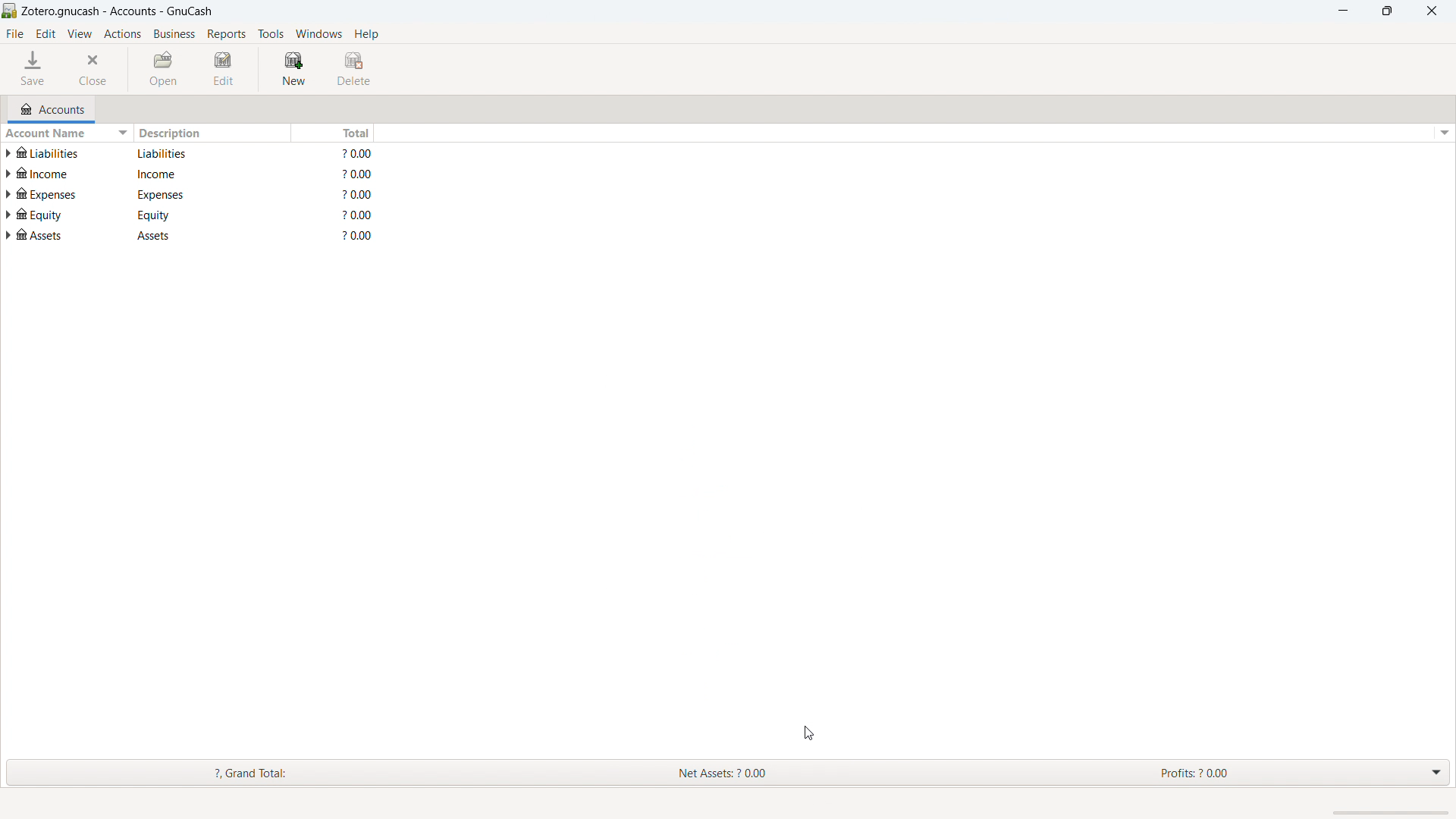 The image size is (1456, 819). What do you see at coordinates (1432, 11) in the screenshot?
I see `close` at bounding box center [1432, 11].